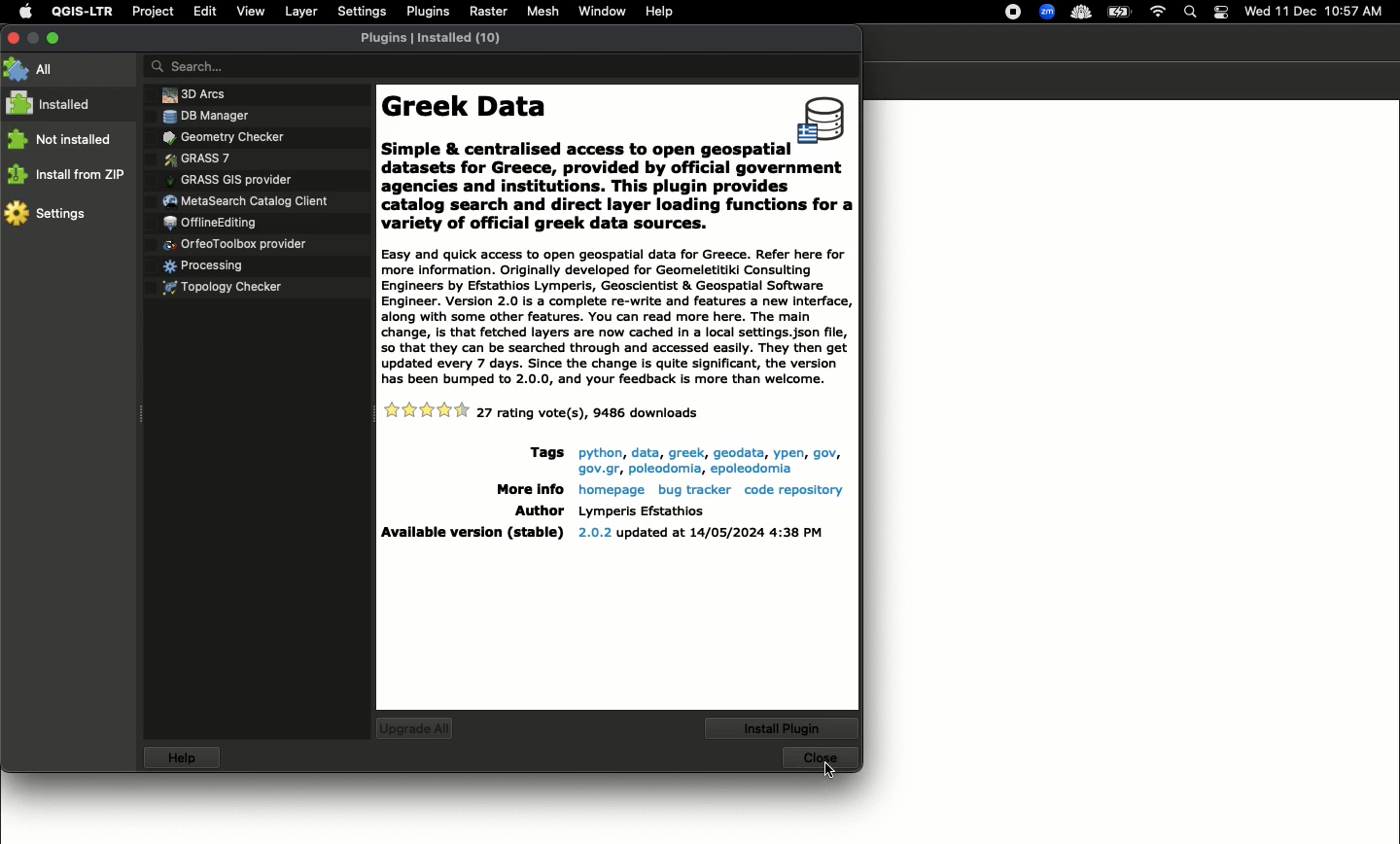 This screenshot has width=1400, height=844. I want to click on DB manager, so click(201, 116).